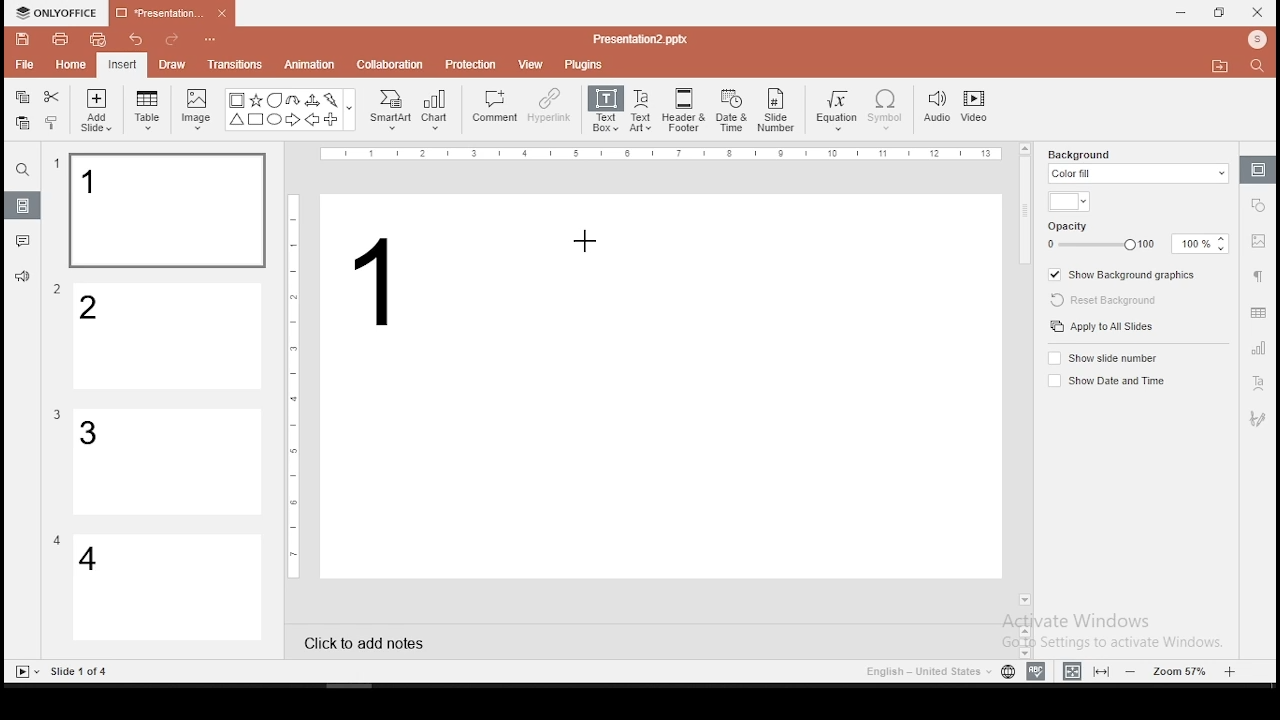 The image size is (1280, 720). I want to click on Cursor, so click(591, 242).